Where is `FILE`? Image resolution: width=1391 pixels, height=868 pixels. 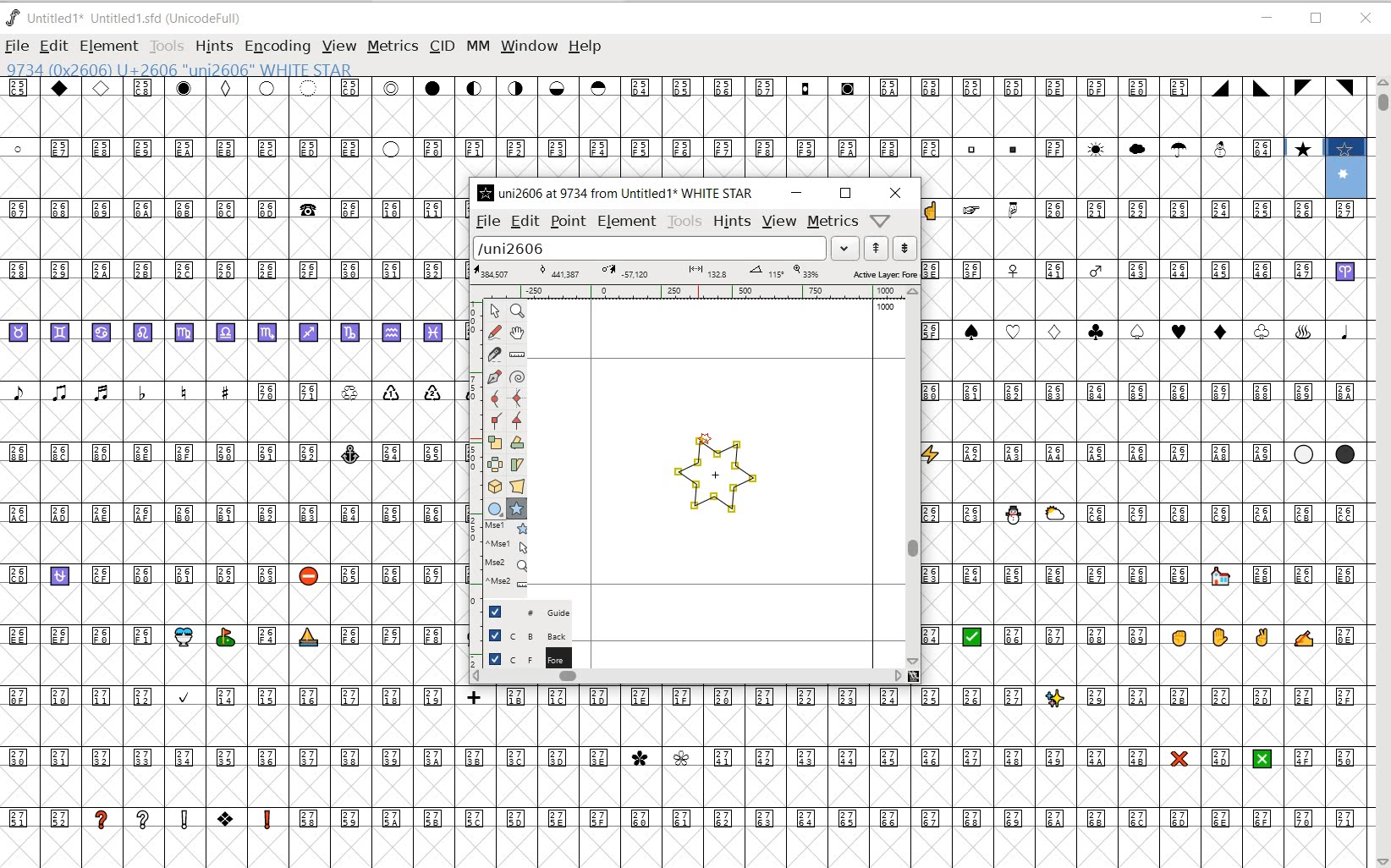
FILE is located at coordinates (16, 47).